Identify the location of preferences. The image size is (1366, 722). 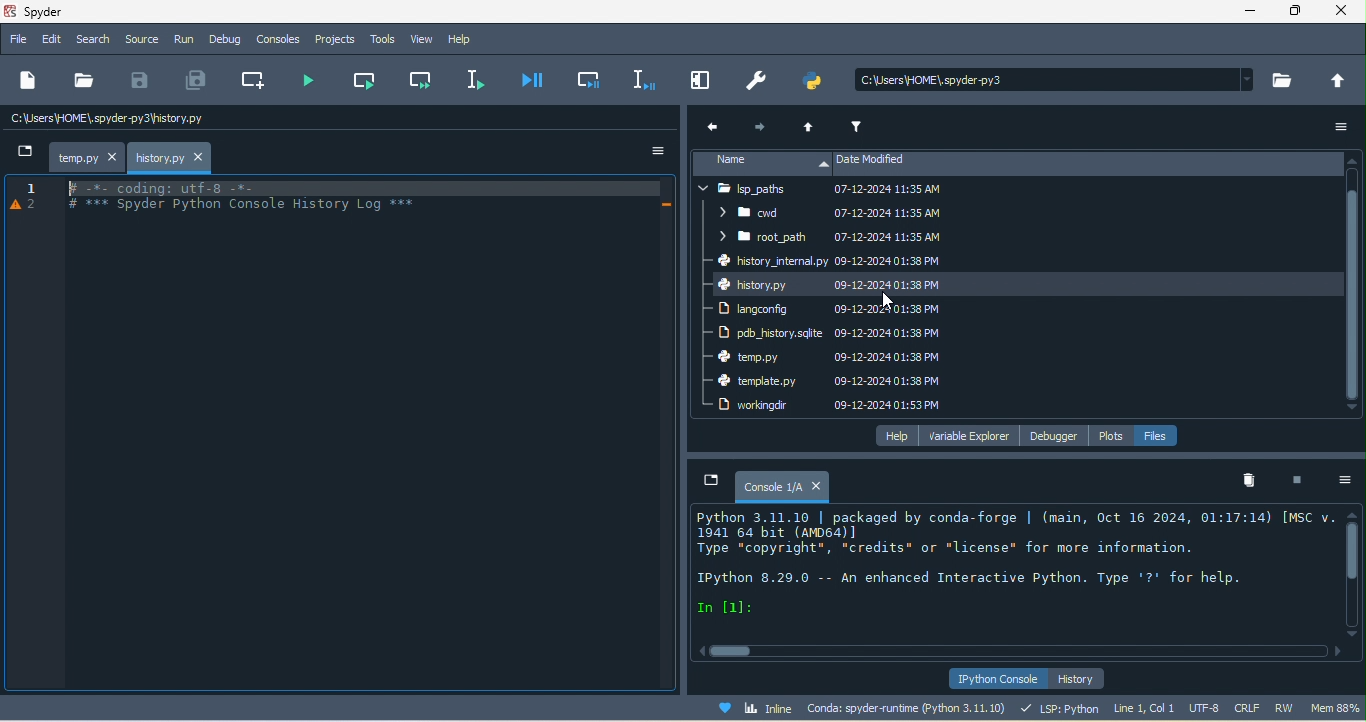
(759, 80).